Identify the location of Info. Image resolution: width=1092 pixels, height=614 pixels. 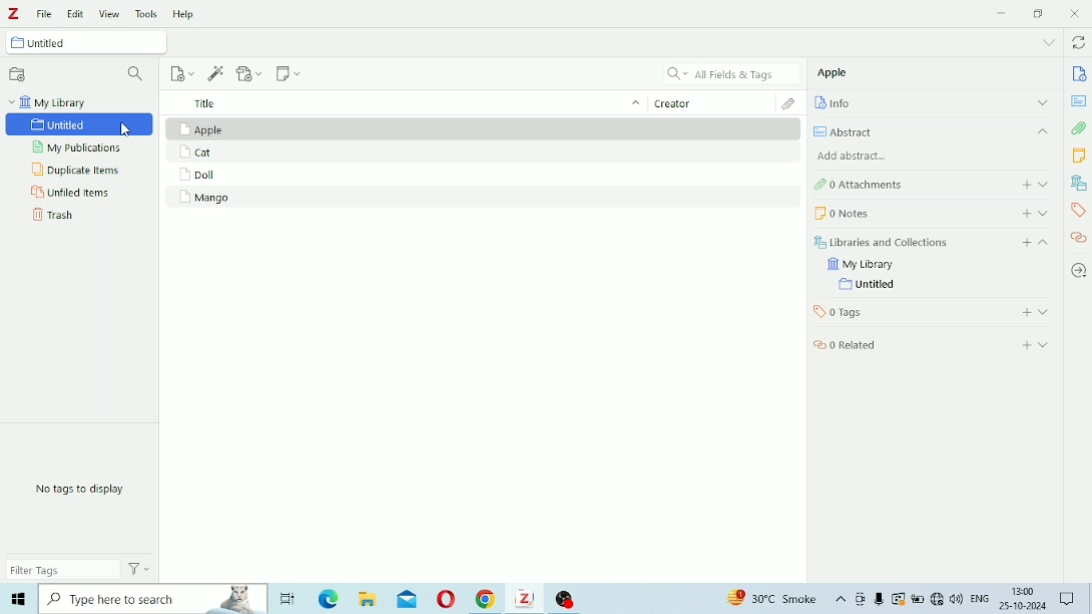
(1080, 75).